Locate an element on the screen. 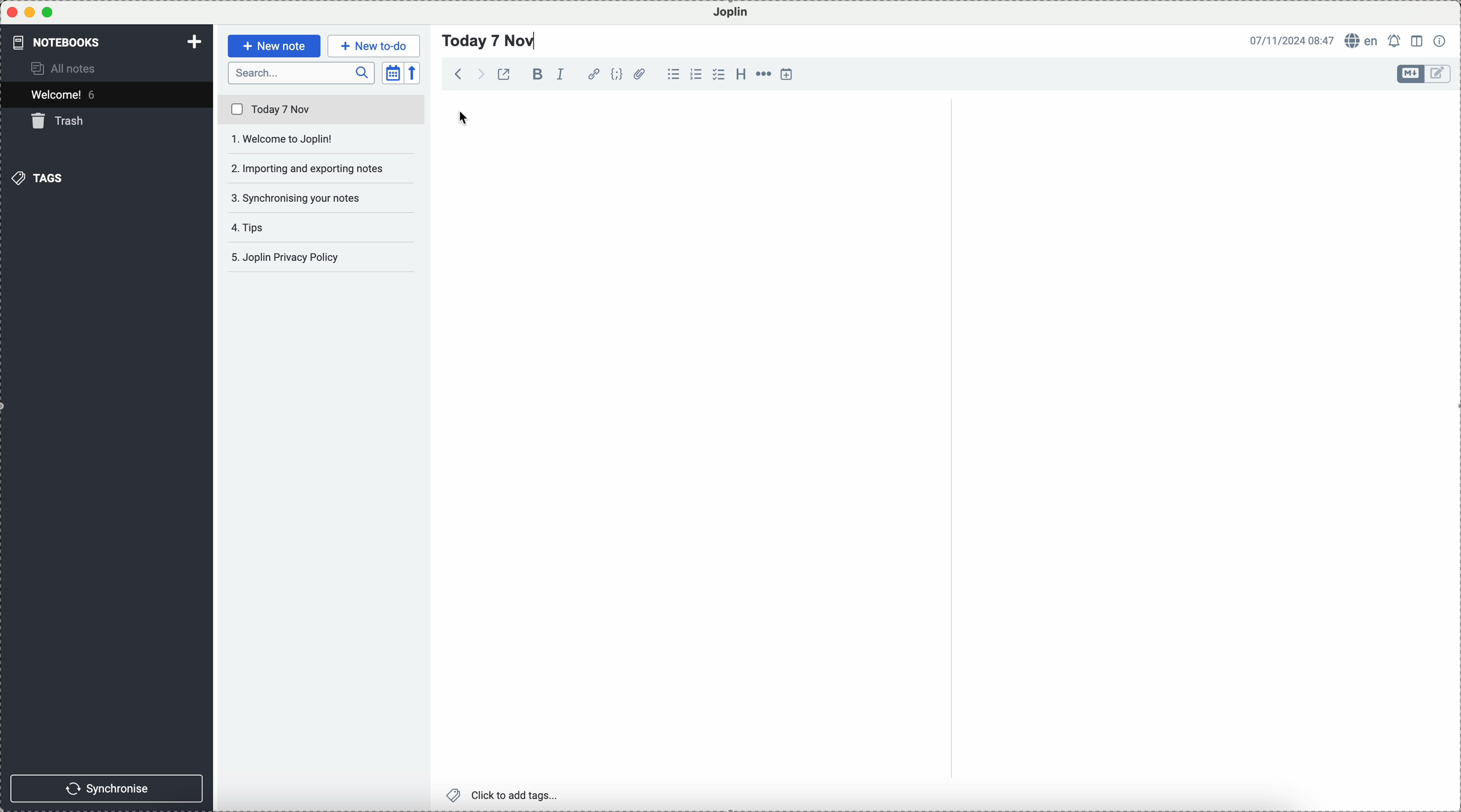 The height and width of the screenshot is (812, 1461). all notes is located at coordinates (65, 67).